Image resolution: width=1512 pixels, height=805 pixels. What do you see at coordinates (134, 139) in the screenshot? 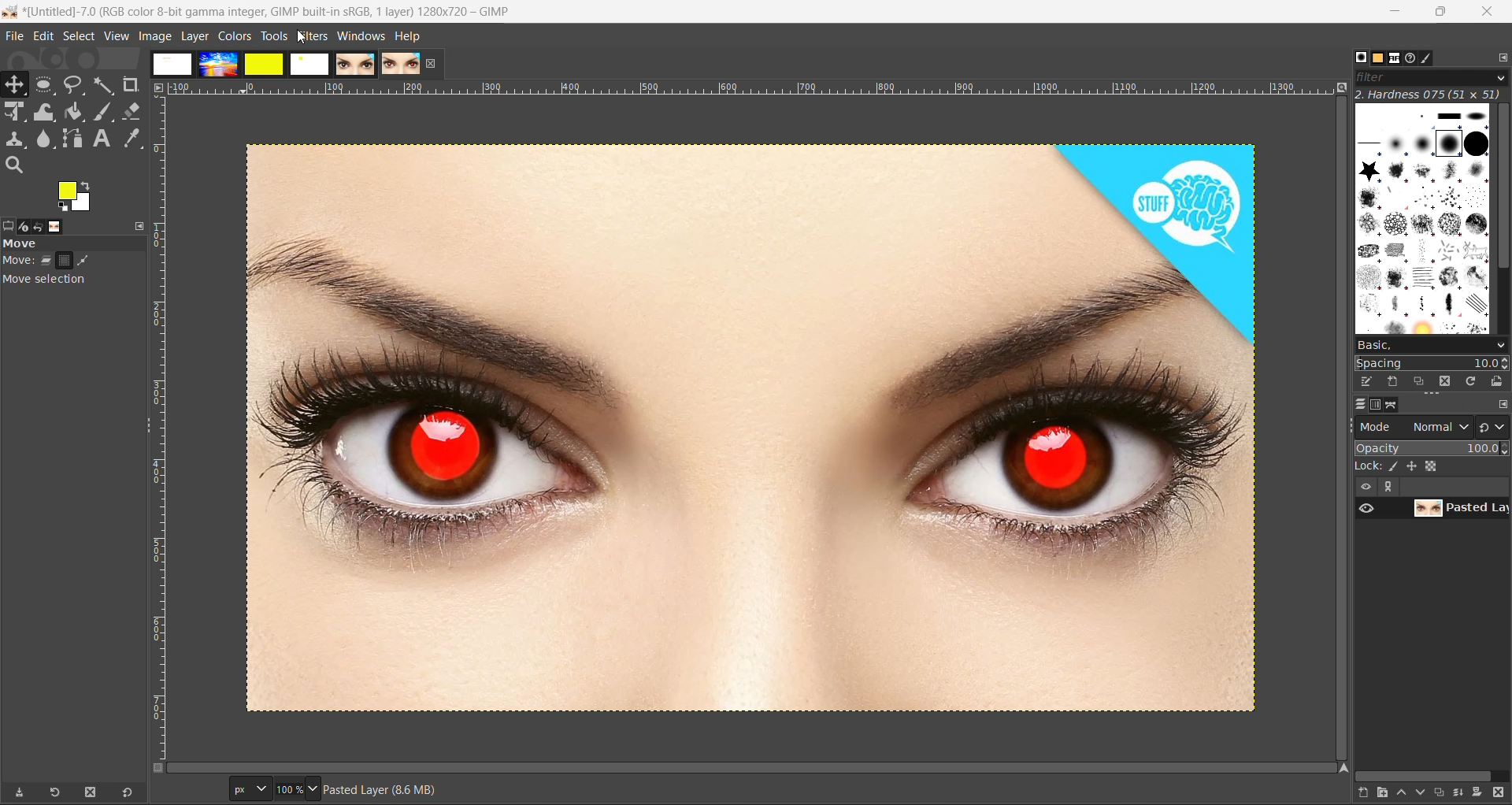
I see `color picker tool` at bounding box center [134, 139].